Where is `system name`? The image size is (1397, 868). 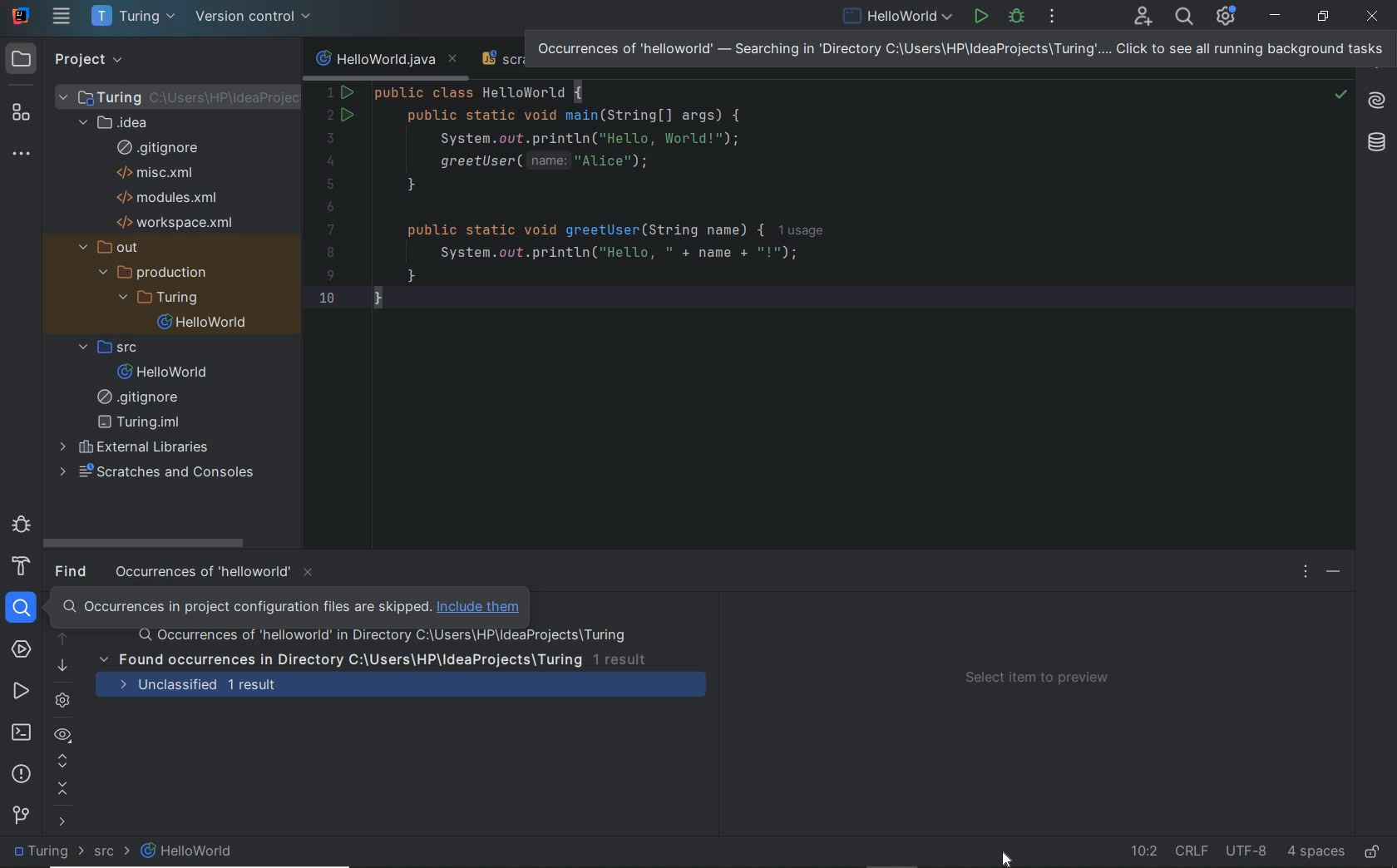 system name is located at coordinates (21, 16).